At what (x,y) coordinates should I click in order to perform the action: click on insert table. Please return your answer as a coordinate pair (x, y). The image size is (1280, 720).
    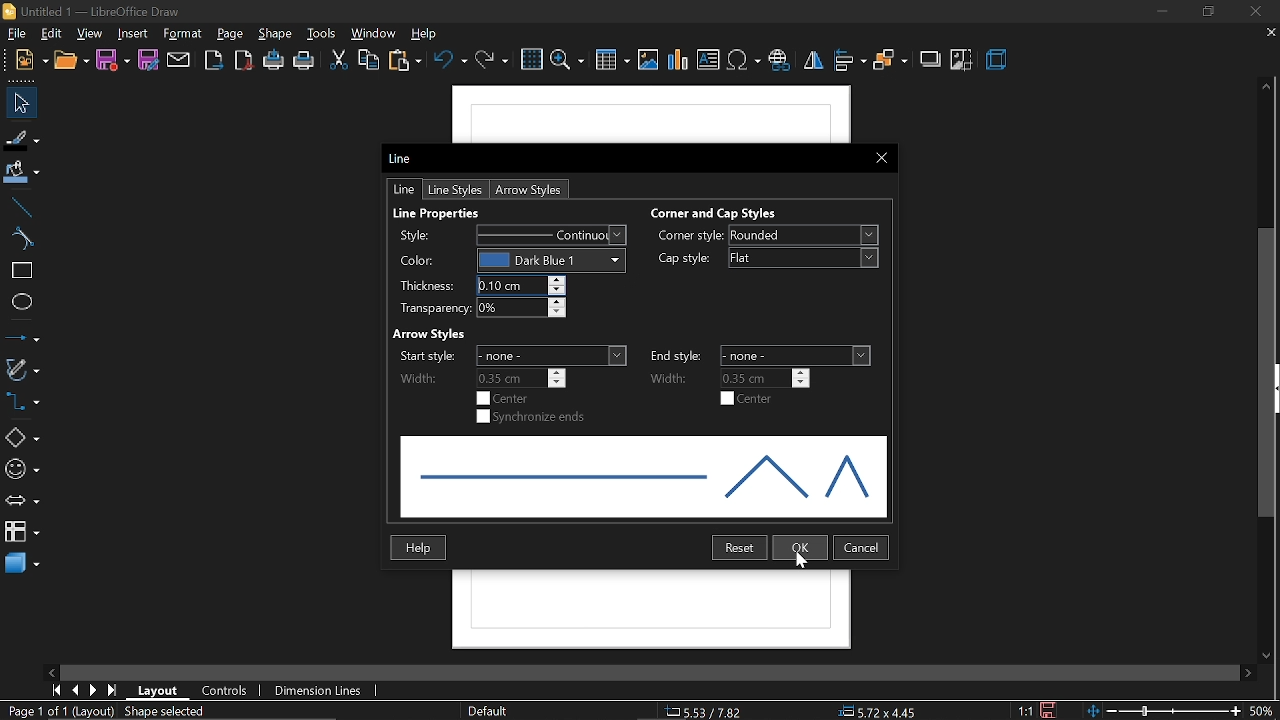
    Looking at the image, I should click on (611, 62).